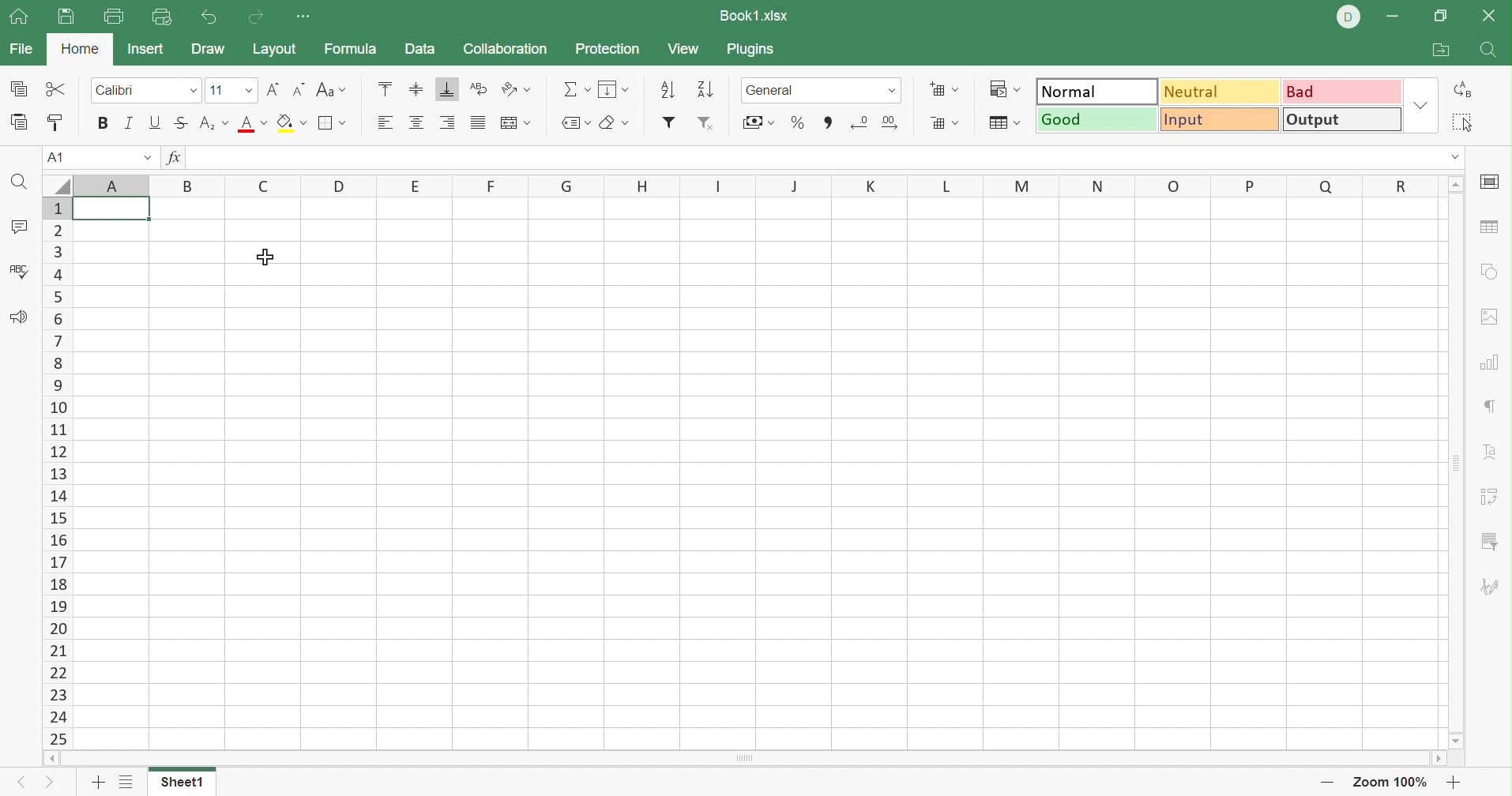  What do you see at coordinates (517, 124) in the screenshot?
I see `Merge and center` at bounding box center [517, 124].